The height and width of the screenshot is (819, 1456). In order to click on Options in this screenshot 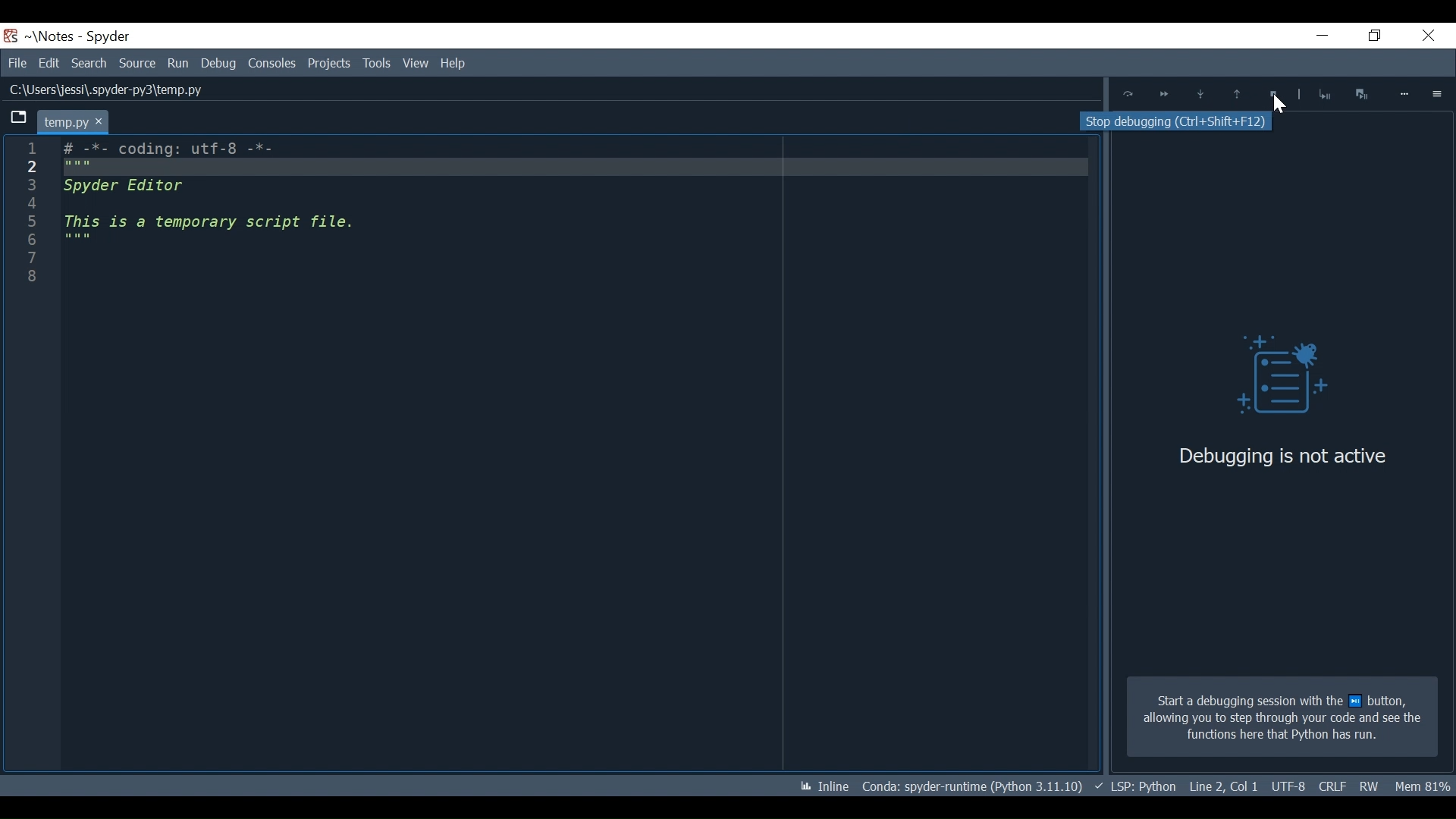, I will do `click(1438, 93)`.